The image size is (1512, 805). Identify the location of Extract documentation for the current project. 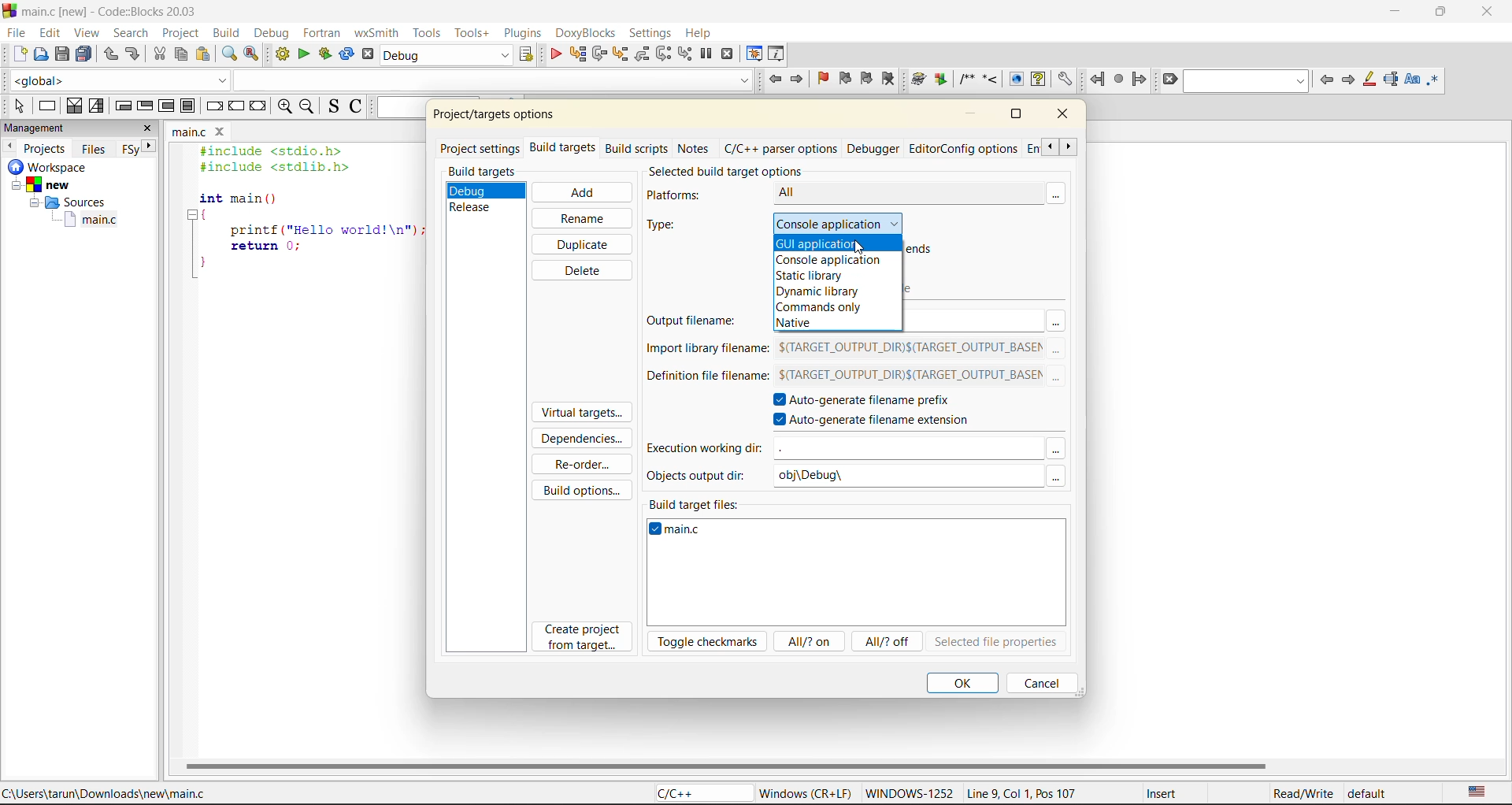
(941, 80).